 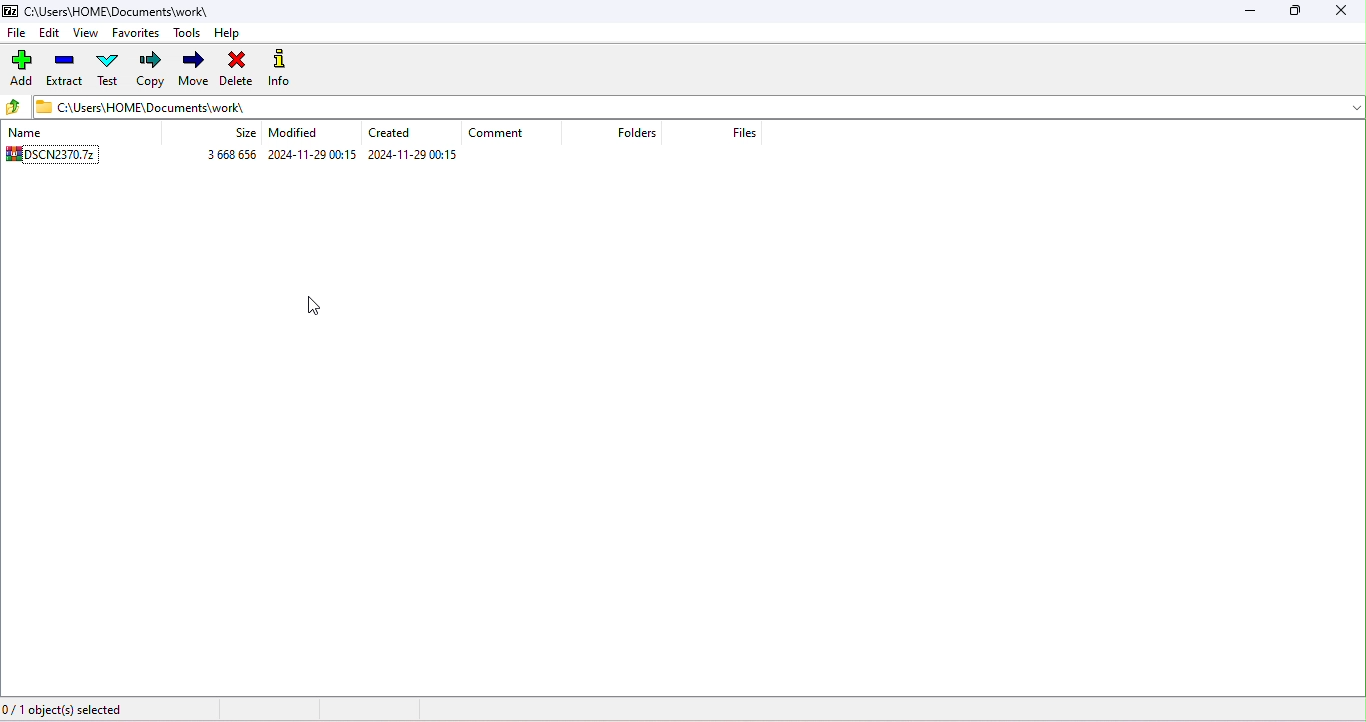 I want to click on view, so click(x=85, y=32).